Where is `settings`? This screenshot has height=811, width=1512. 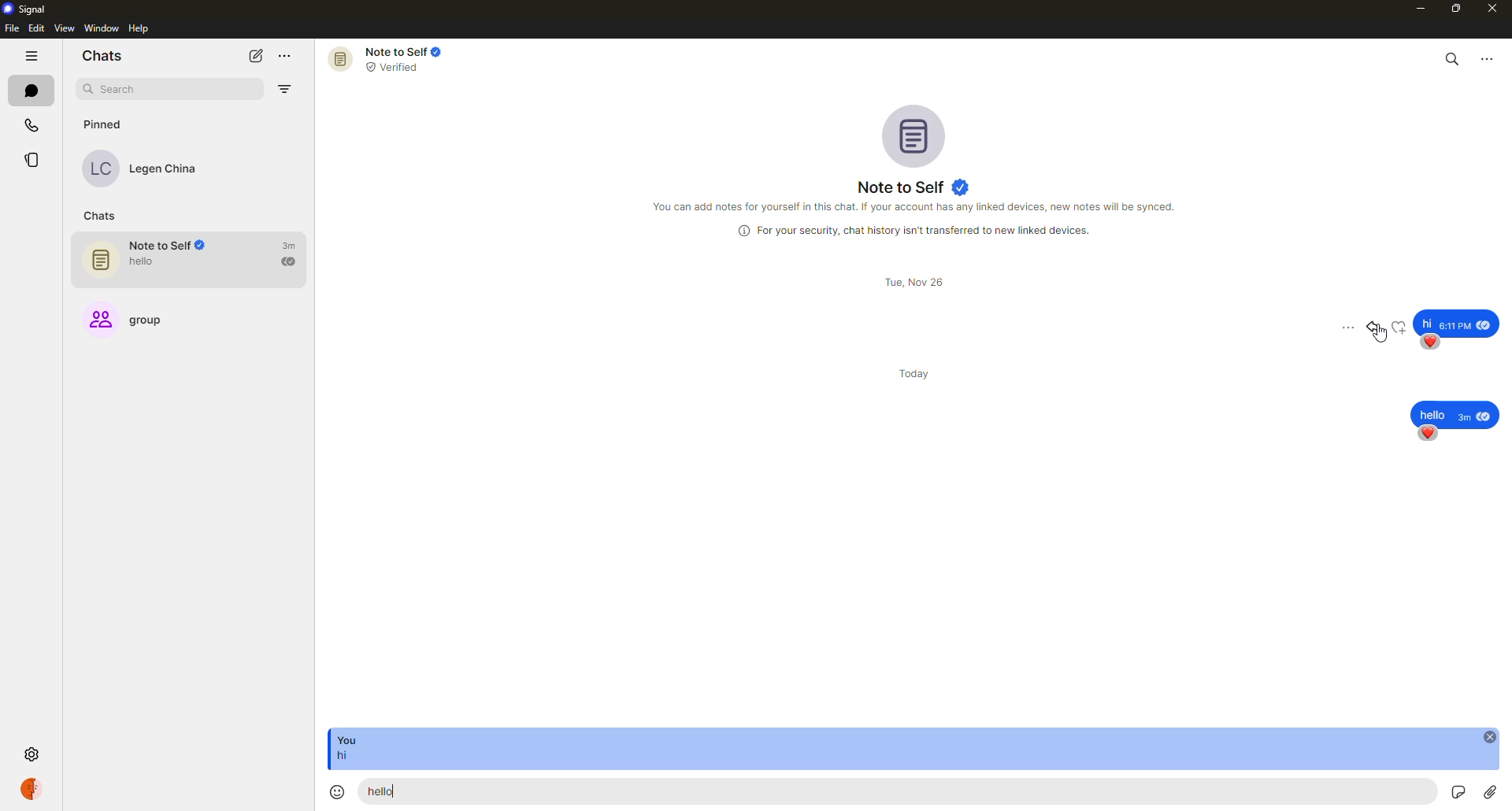
settings is located at coordinates (33, 752).